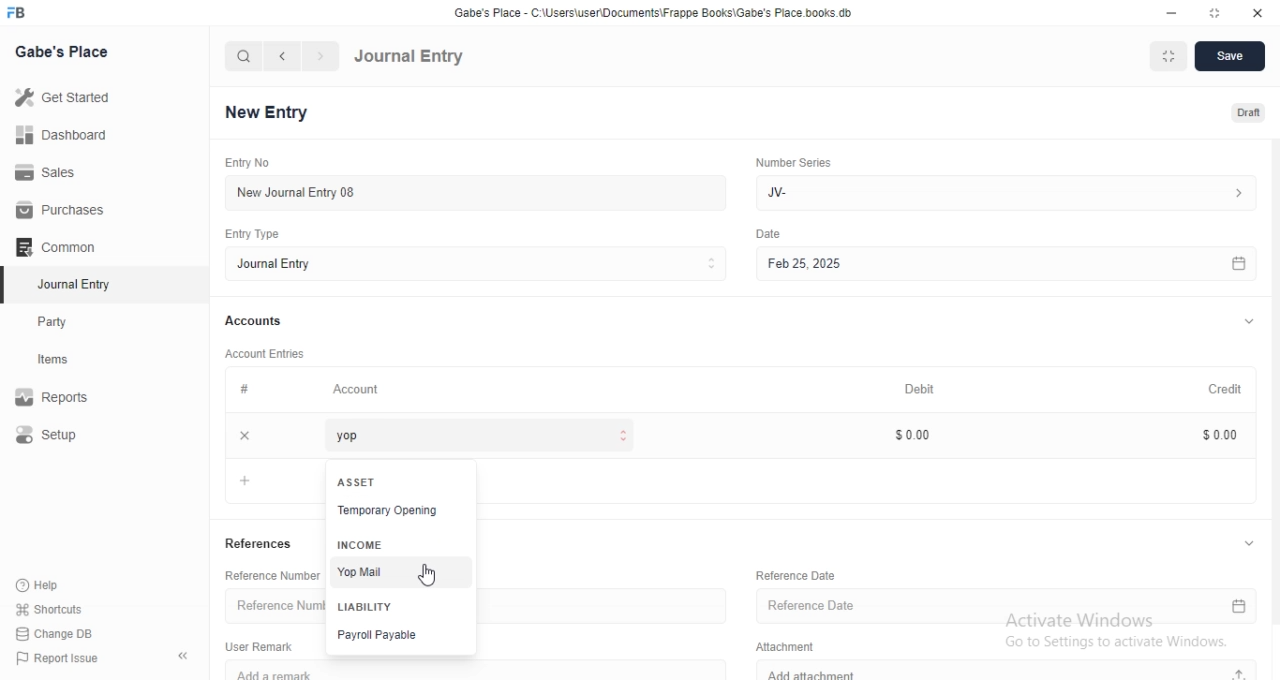 The width and height of the screenshot is (1280, 680). Describe the element at coordinates (245, 479) in the screenshot. I see `+ Add Row` at that location.